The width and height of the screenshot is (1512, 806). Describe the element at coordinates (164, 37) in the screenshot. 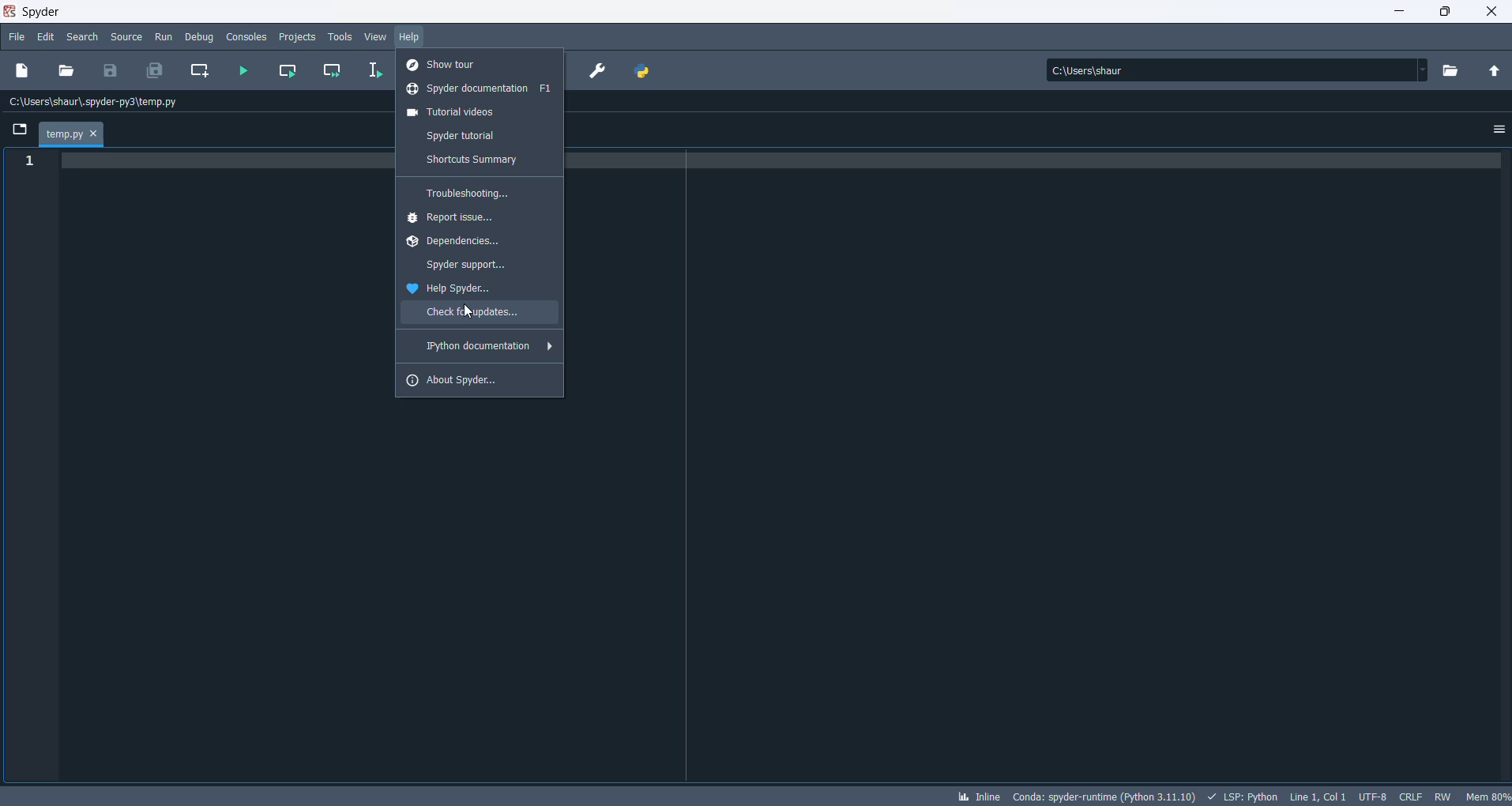

I see `run` at that location.